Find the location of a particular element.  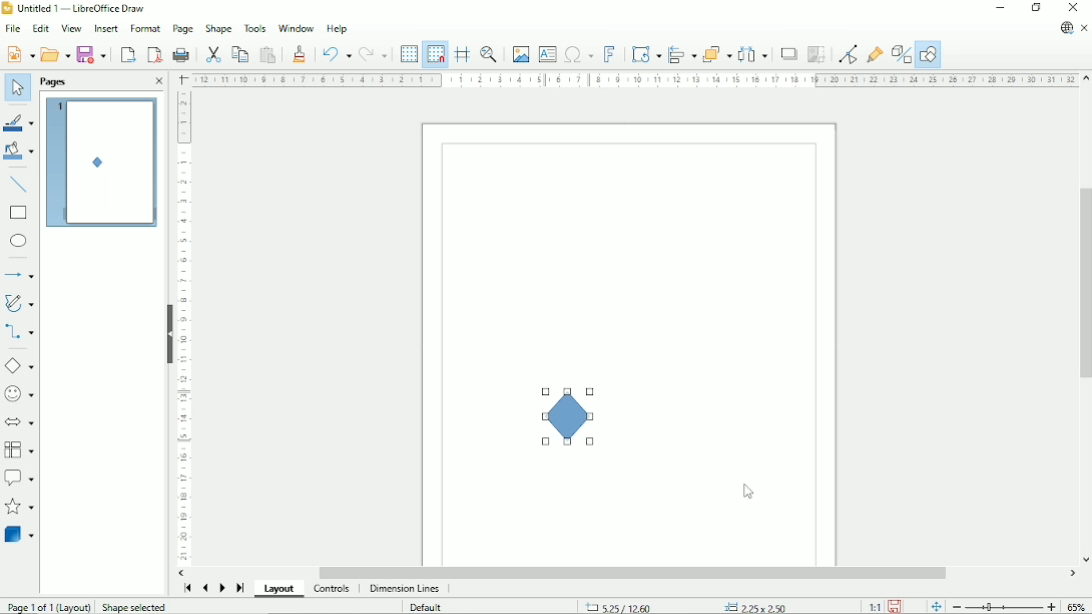

Transformation is located at coordinates (646, 52).